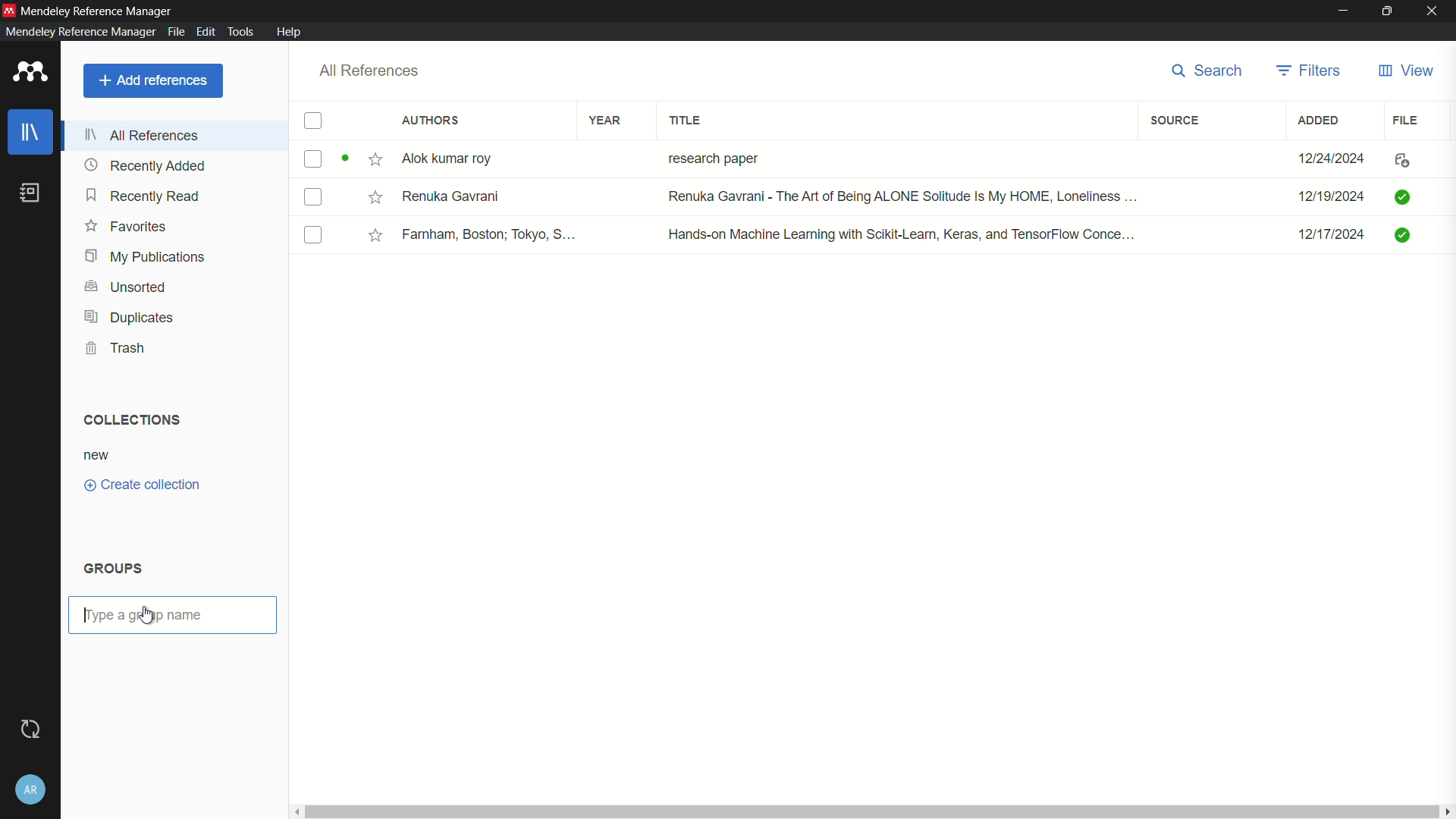 Image resolution: width=1456 pixels, height=819 pixels. I want to click on book, so click(30, 193).